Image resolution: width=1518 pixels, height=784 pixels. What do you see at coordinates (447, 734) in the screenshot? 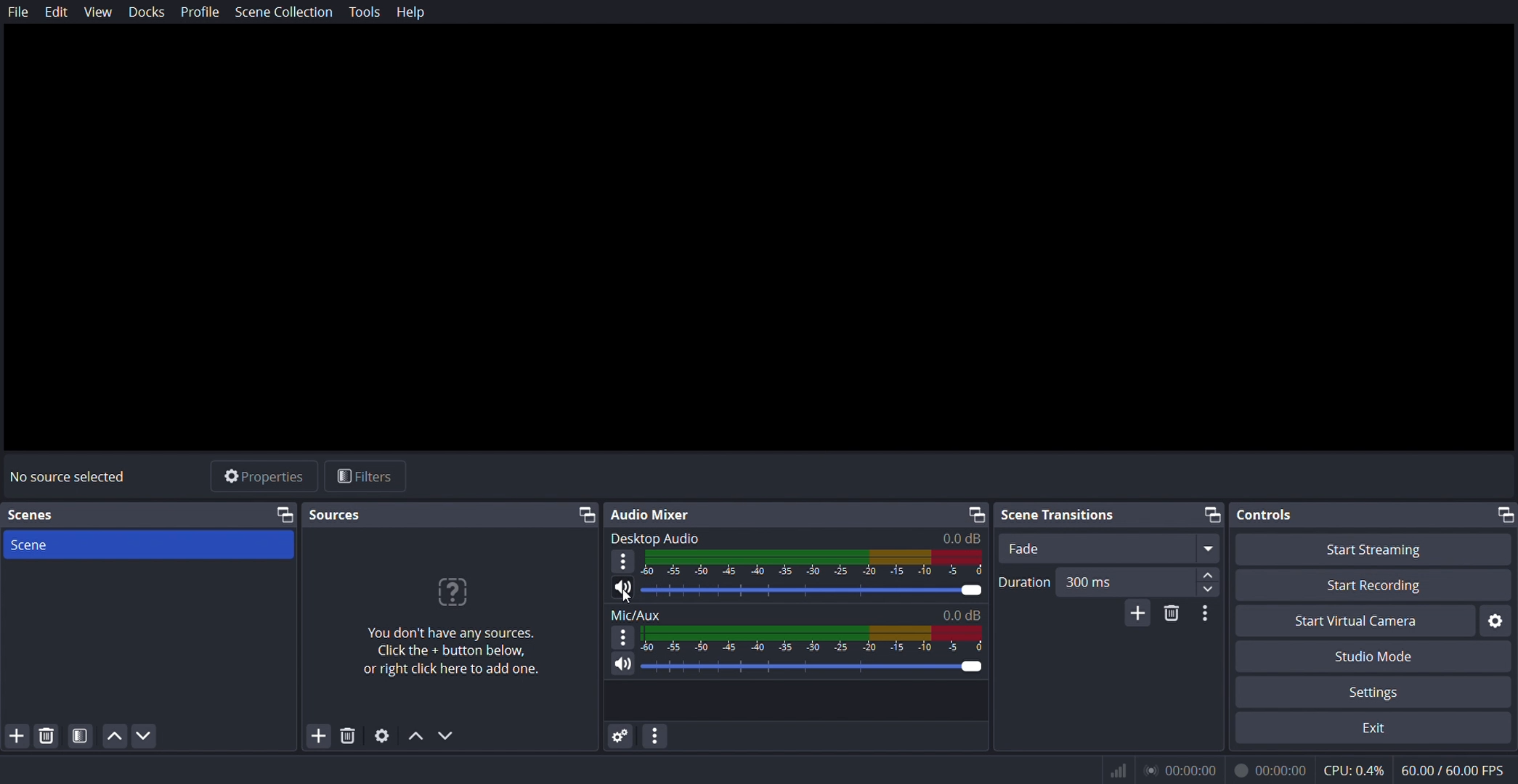
I see `move down` at bounding box center [447, 734].